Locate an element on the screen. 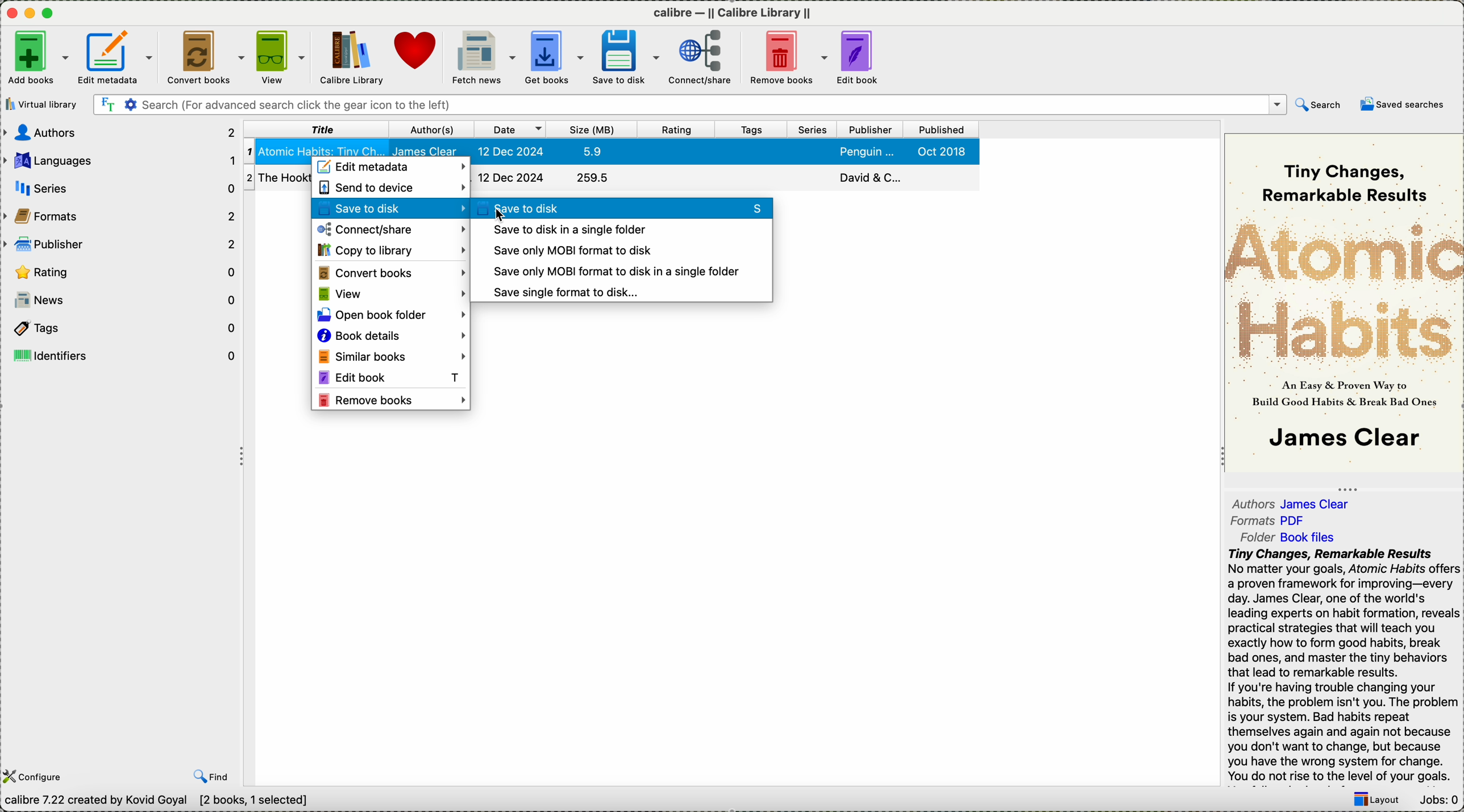  author(s) is located at coordinates (431, 129).